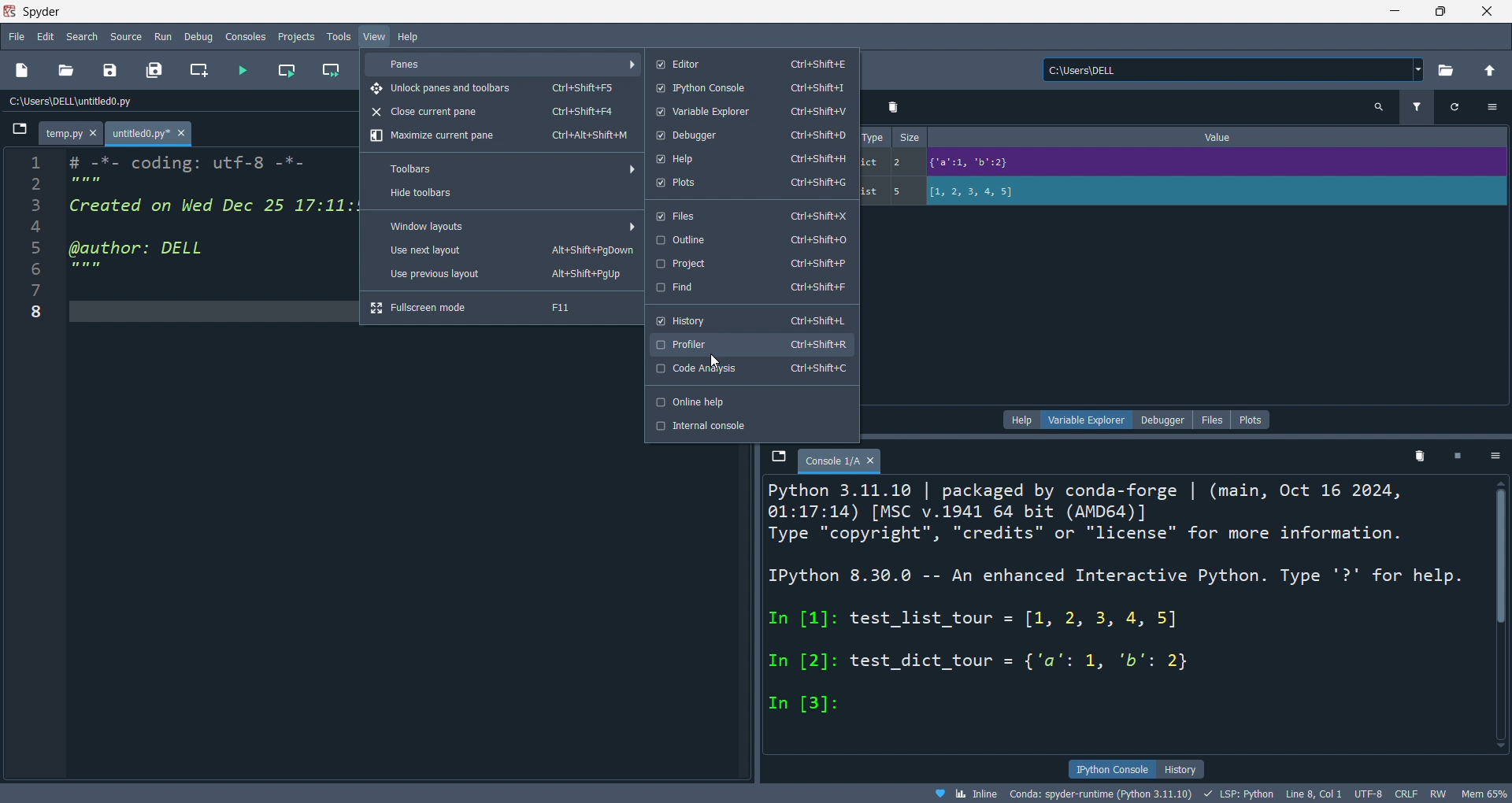 The width and height of the screenshot is (1512, 803). What do you see at coordinates (239, 69) in the screenshot?
I see `run file` at bounding box center [239, 69].